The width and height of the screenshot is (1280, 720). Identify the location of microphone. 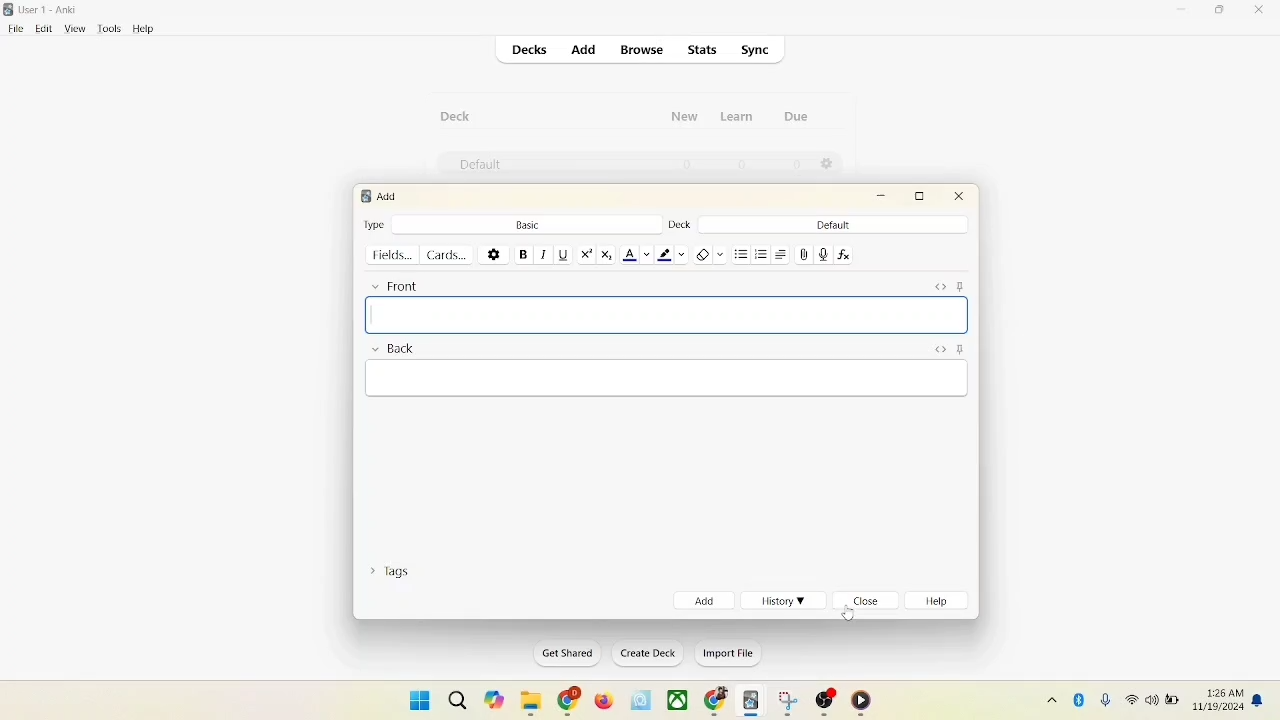
(1102, 698).